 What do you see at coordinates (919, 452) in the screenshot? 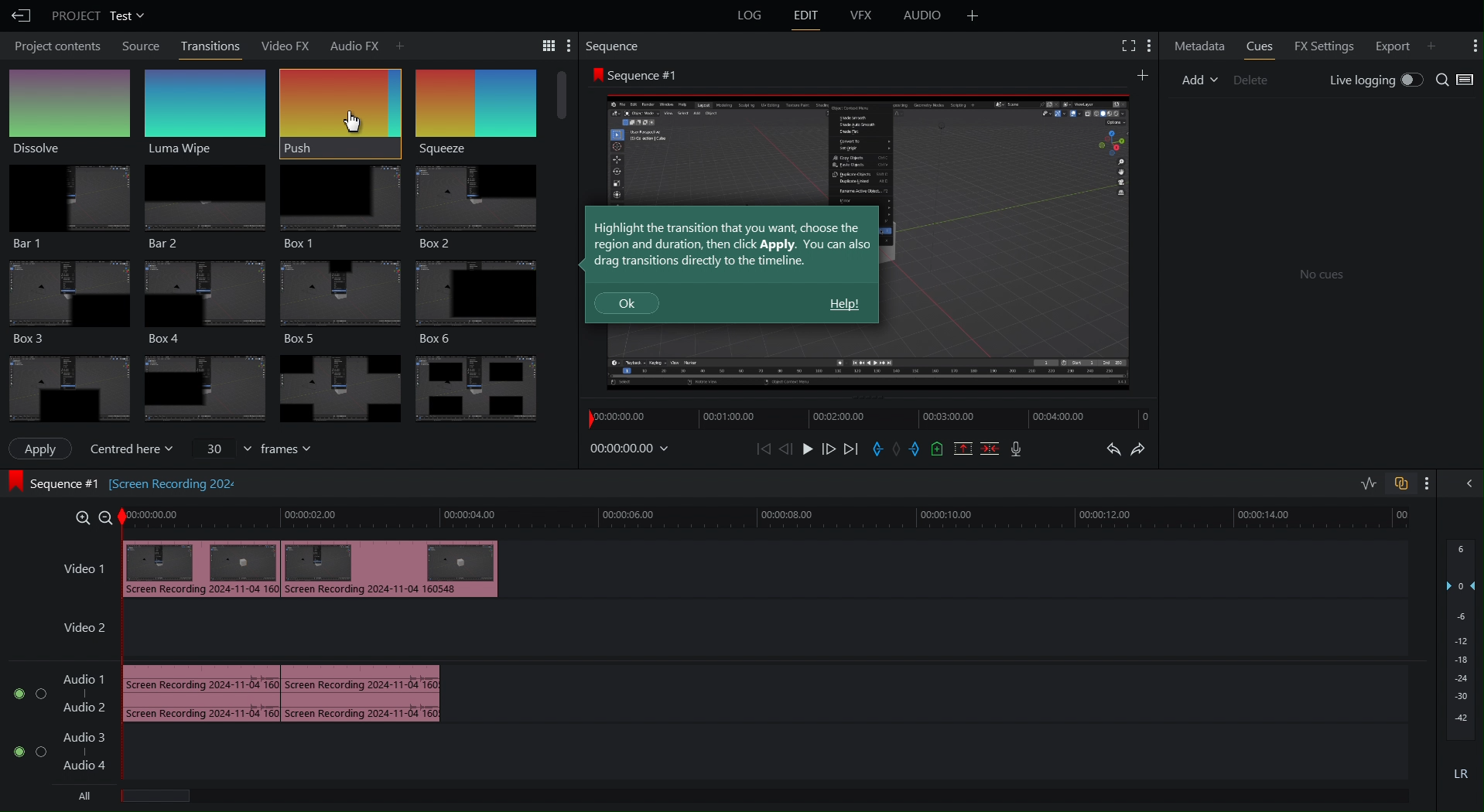
I see `Exit Marker` at bounding box center [919, 452].